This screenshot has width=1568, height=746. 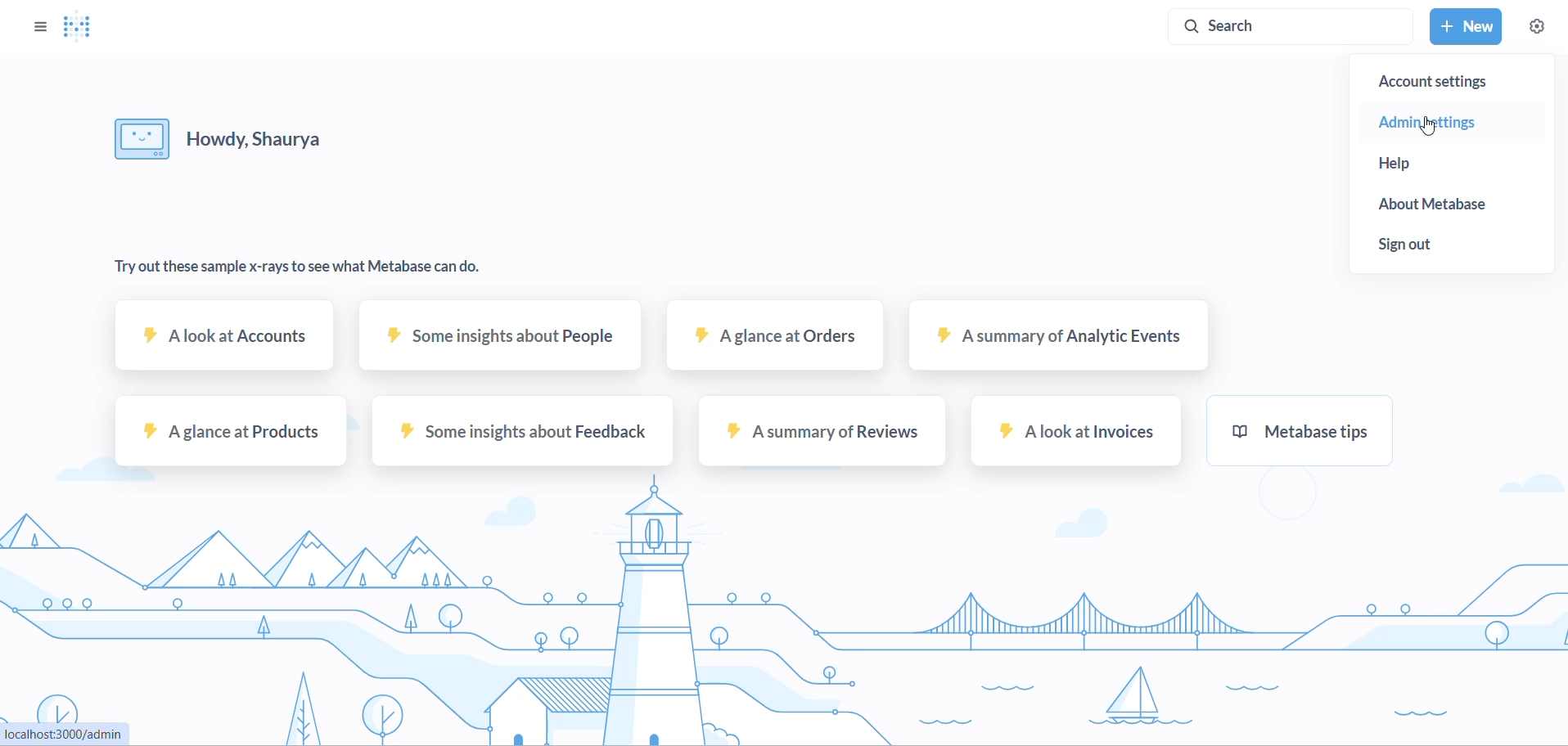 I want to click on sign out, so click(x=1413, y=248).